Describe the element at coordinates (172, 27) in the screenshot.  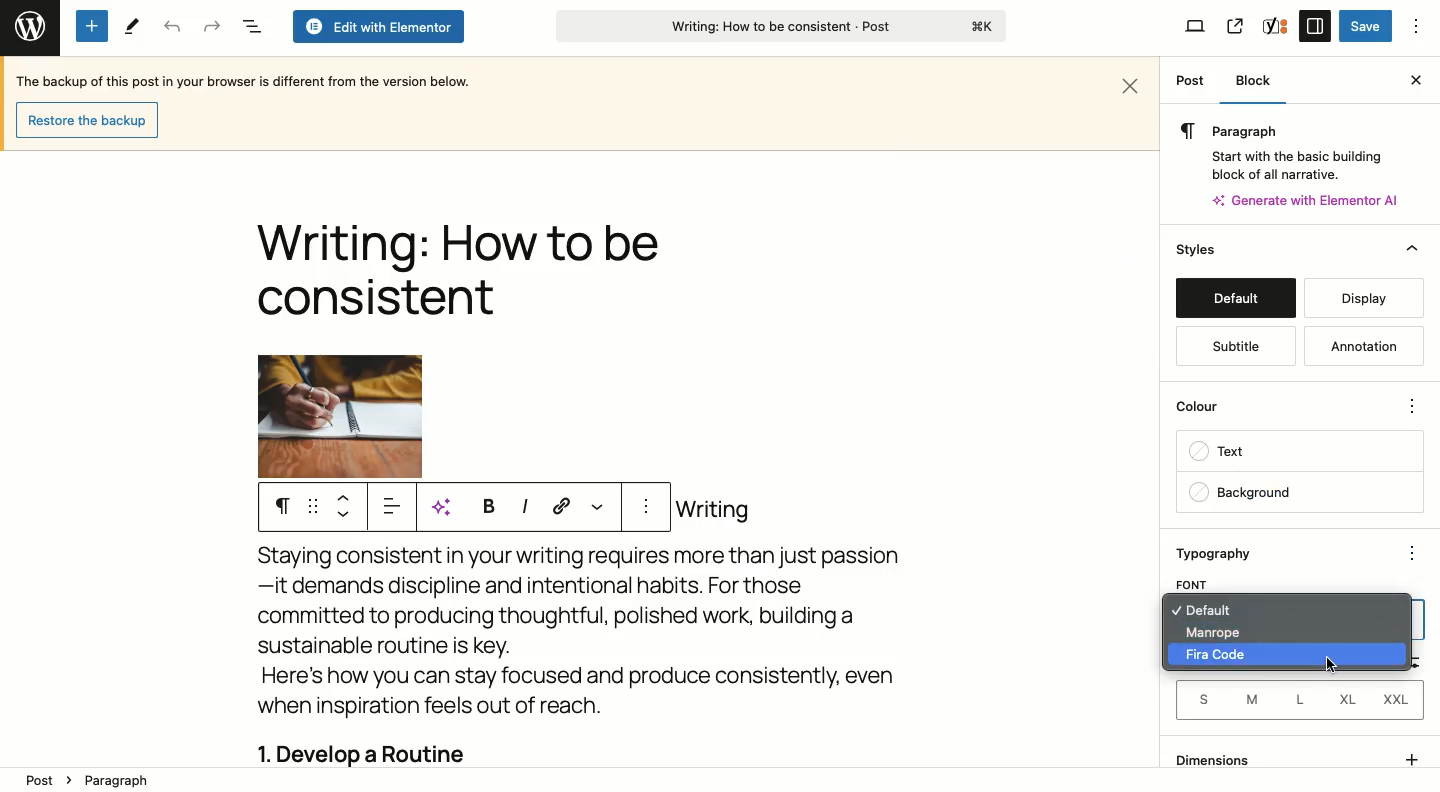
I see `Undo` at that location.